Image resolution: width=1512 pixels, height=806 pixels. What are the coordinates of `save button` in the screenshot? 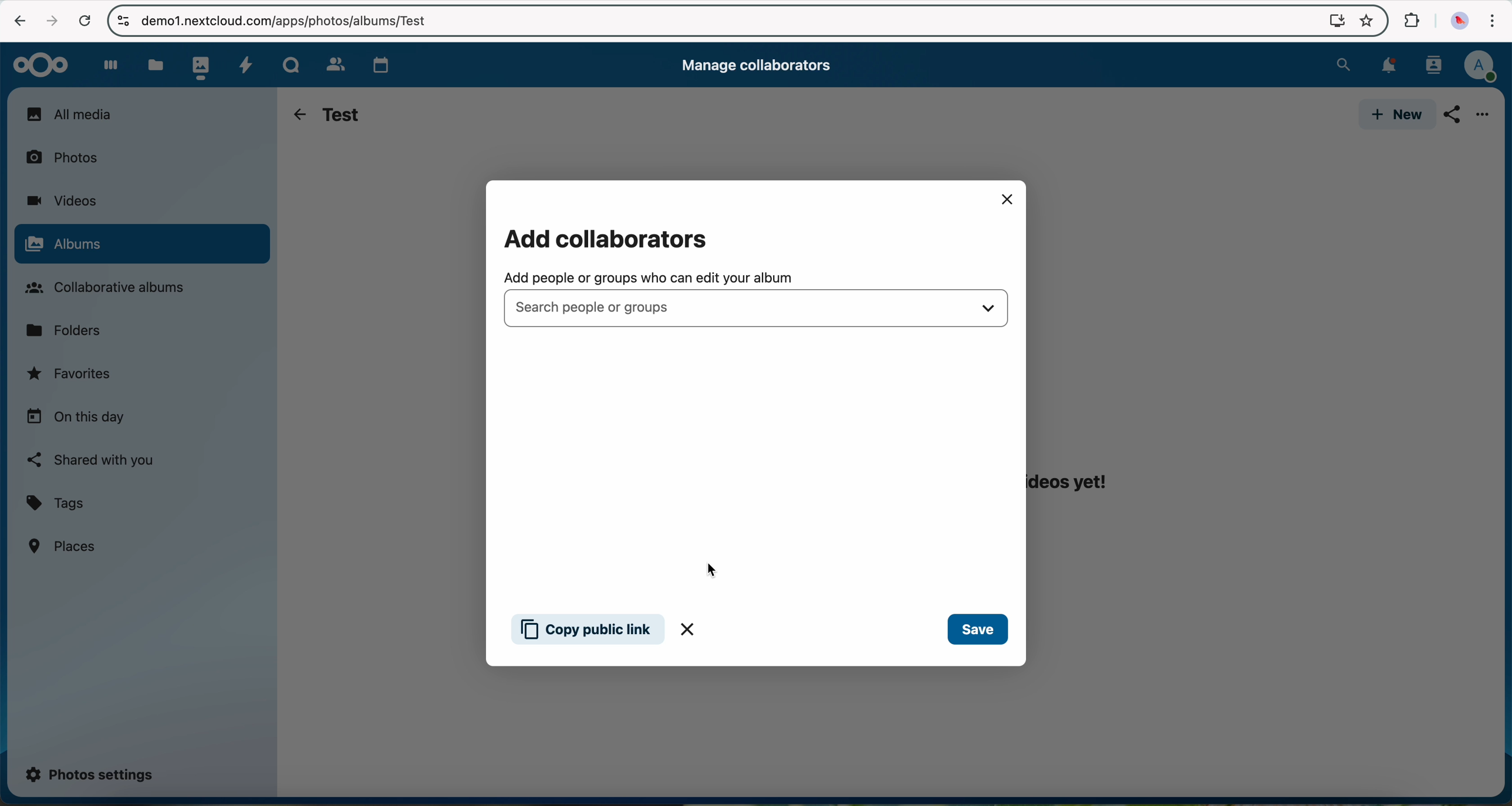 It's located at (978, 629).